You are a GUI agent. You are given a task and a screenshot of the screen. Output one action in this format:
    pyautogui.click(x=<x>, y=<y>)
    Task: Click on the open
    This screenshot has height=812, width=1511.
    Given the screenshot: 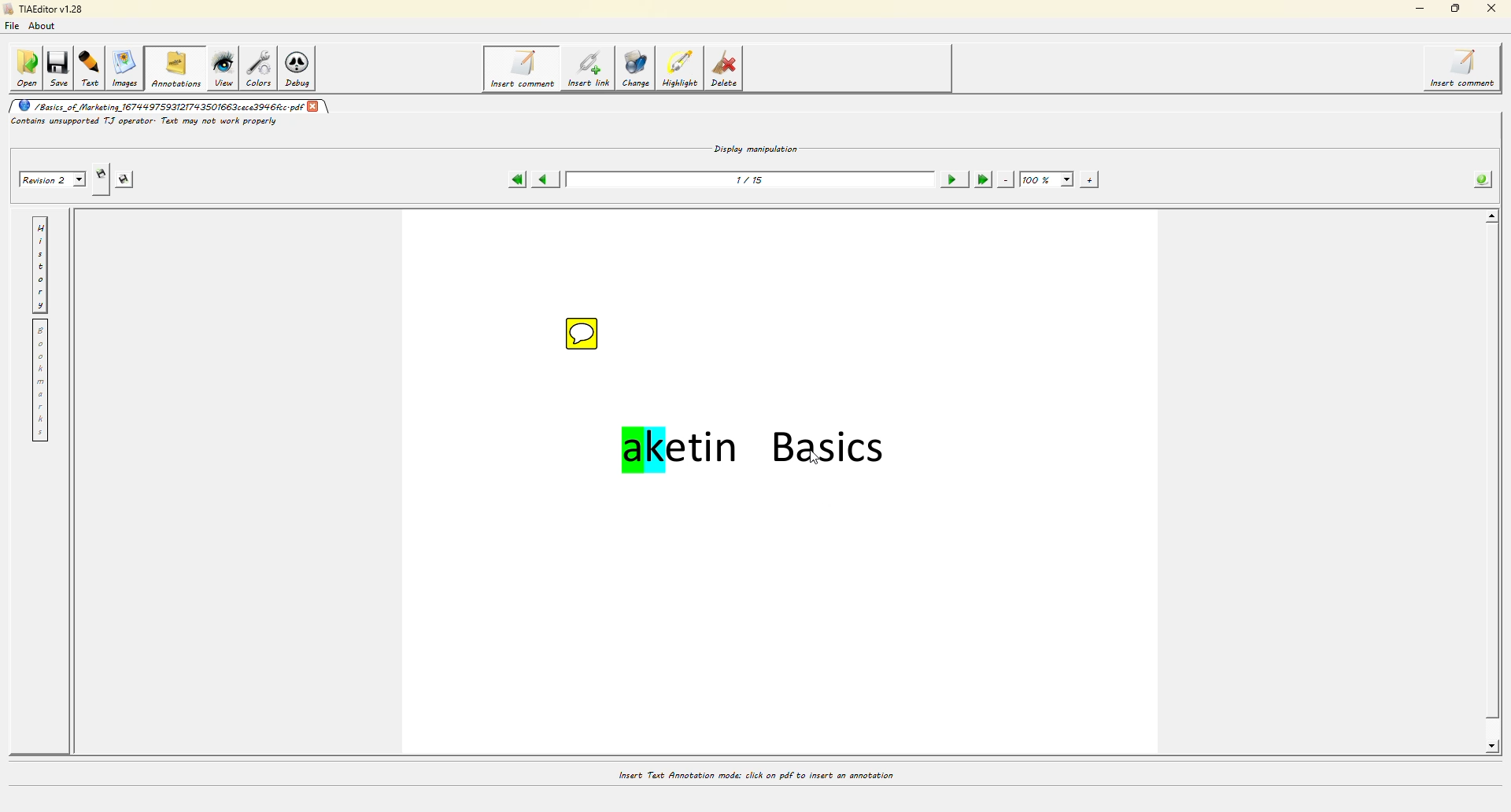 What is the action you would take?
    pyautogui.click(x=26, y=68)
    